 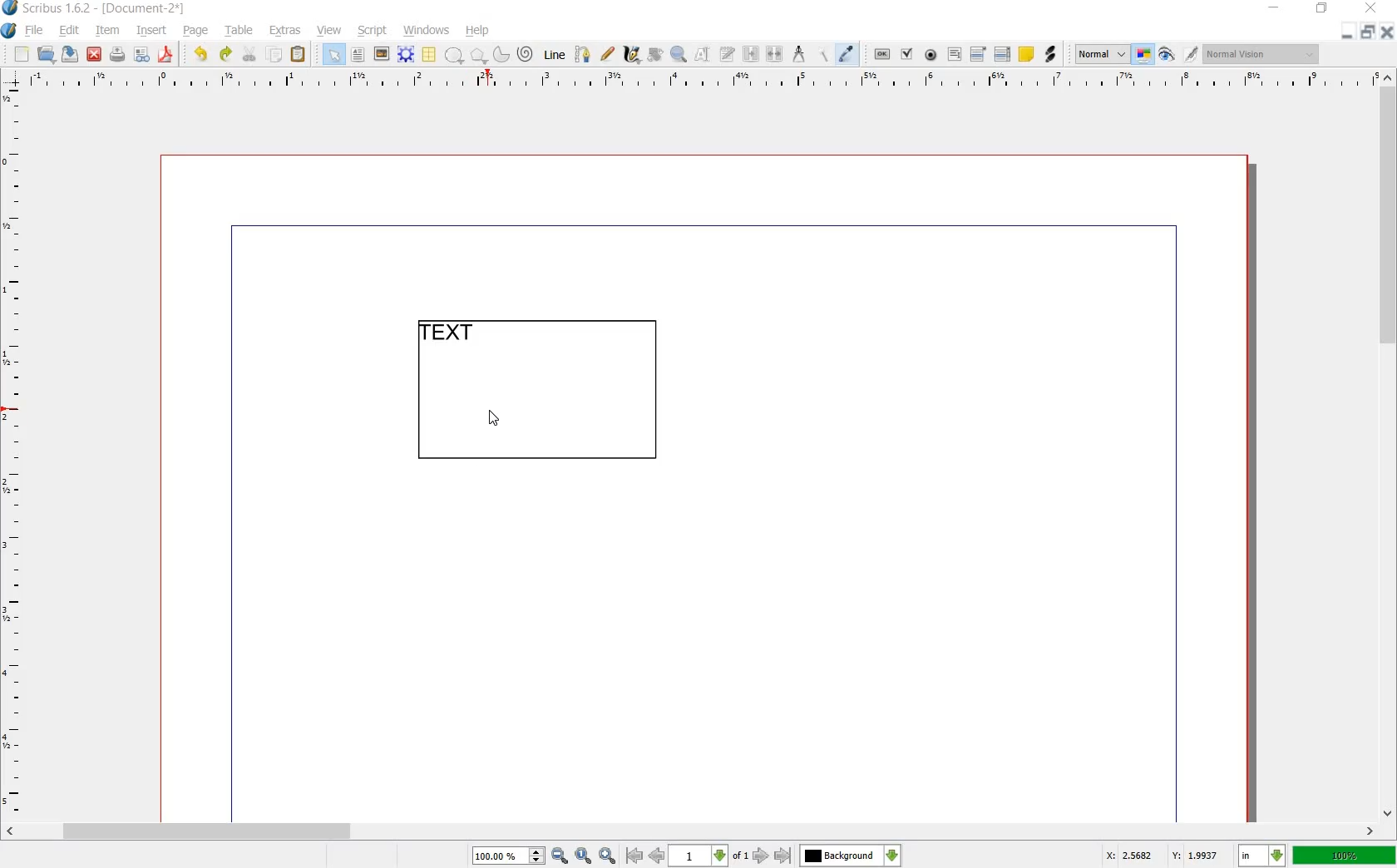 I want to click on edit text with story editor, so click(x=726, y=54).